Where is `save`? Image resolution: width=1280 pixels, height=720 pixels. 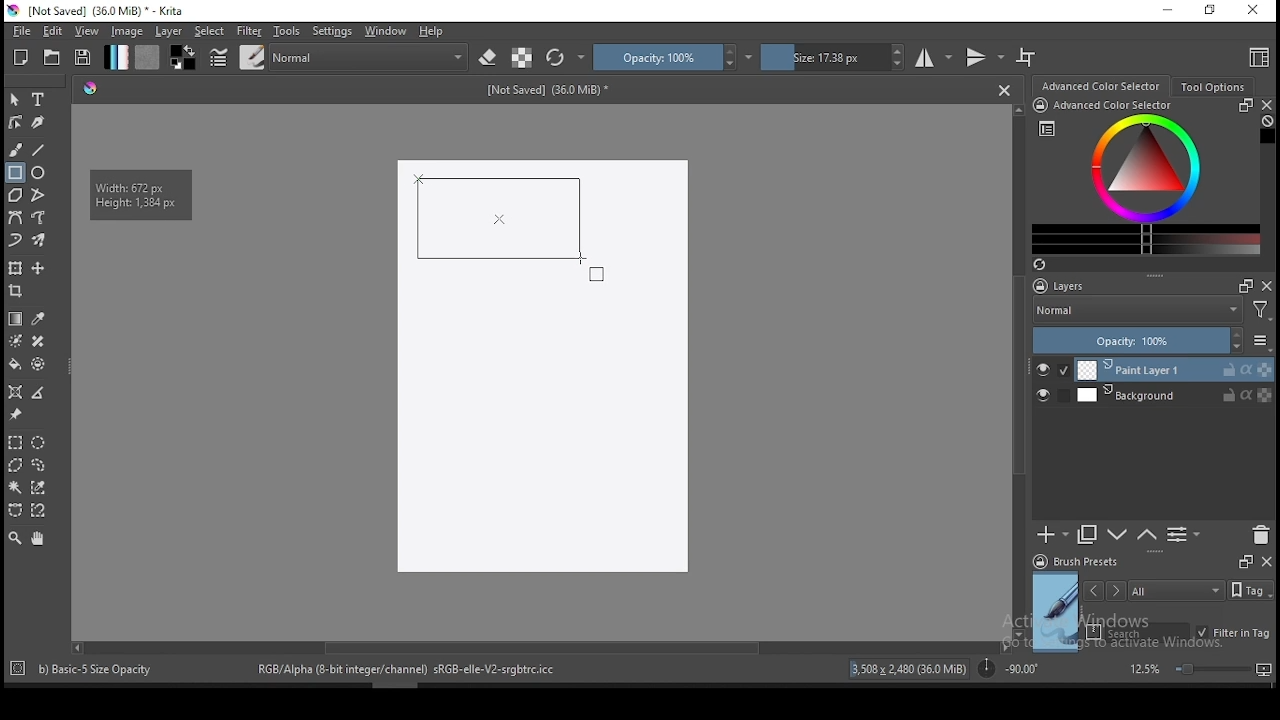 save is located at coordinates (83, 58).